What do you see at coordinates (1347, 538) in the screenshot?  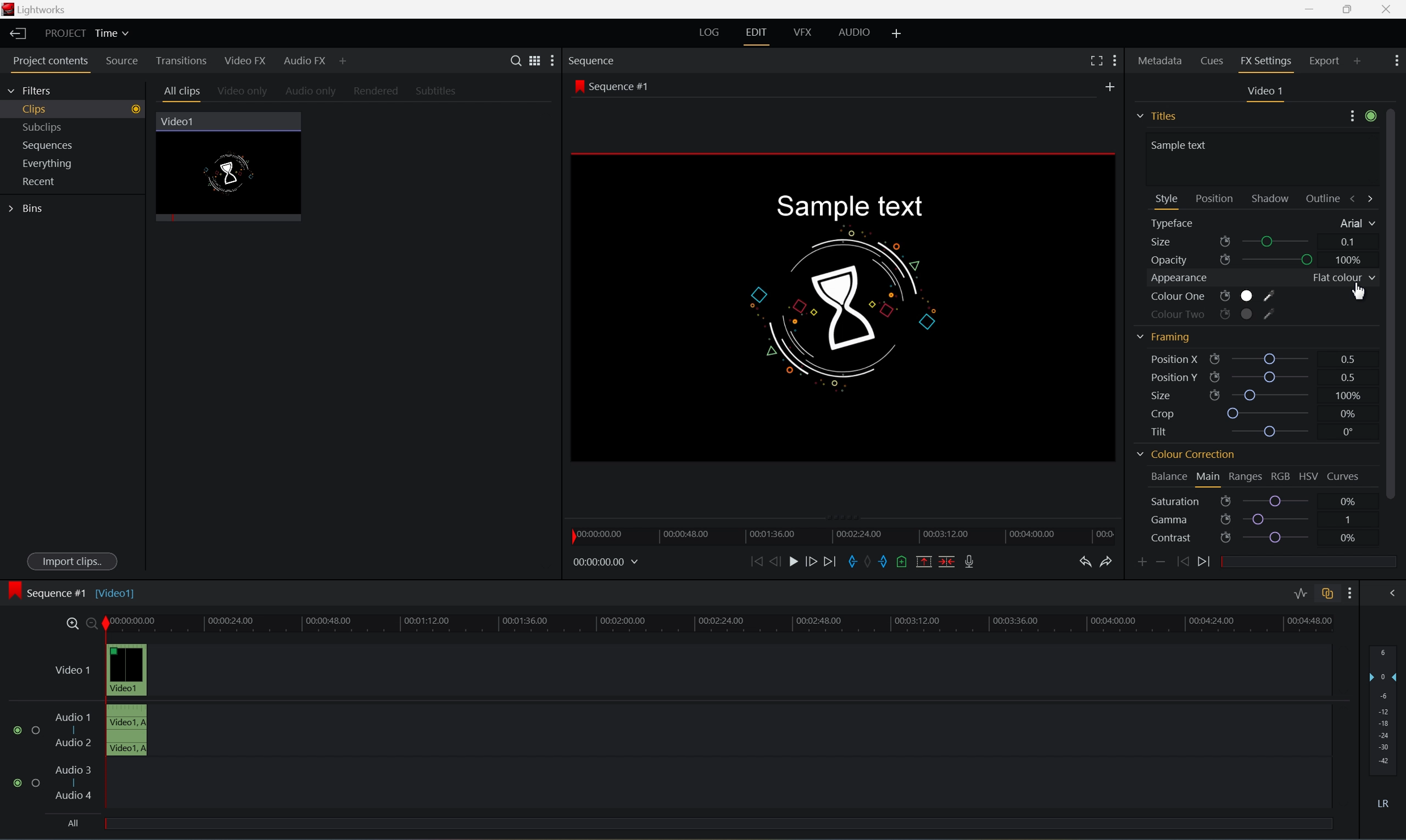 I see `0%` at bounding box center [1347, 538].